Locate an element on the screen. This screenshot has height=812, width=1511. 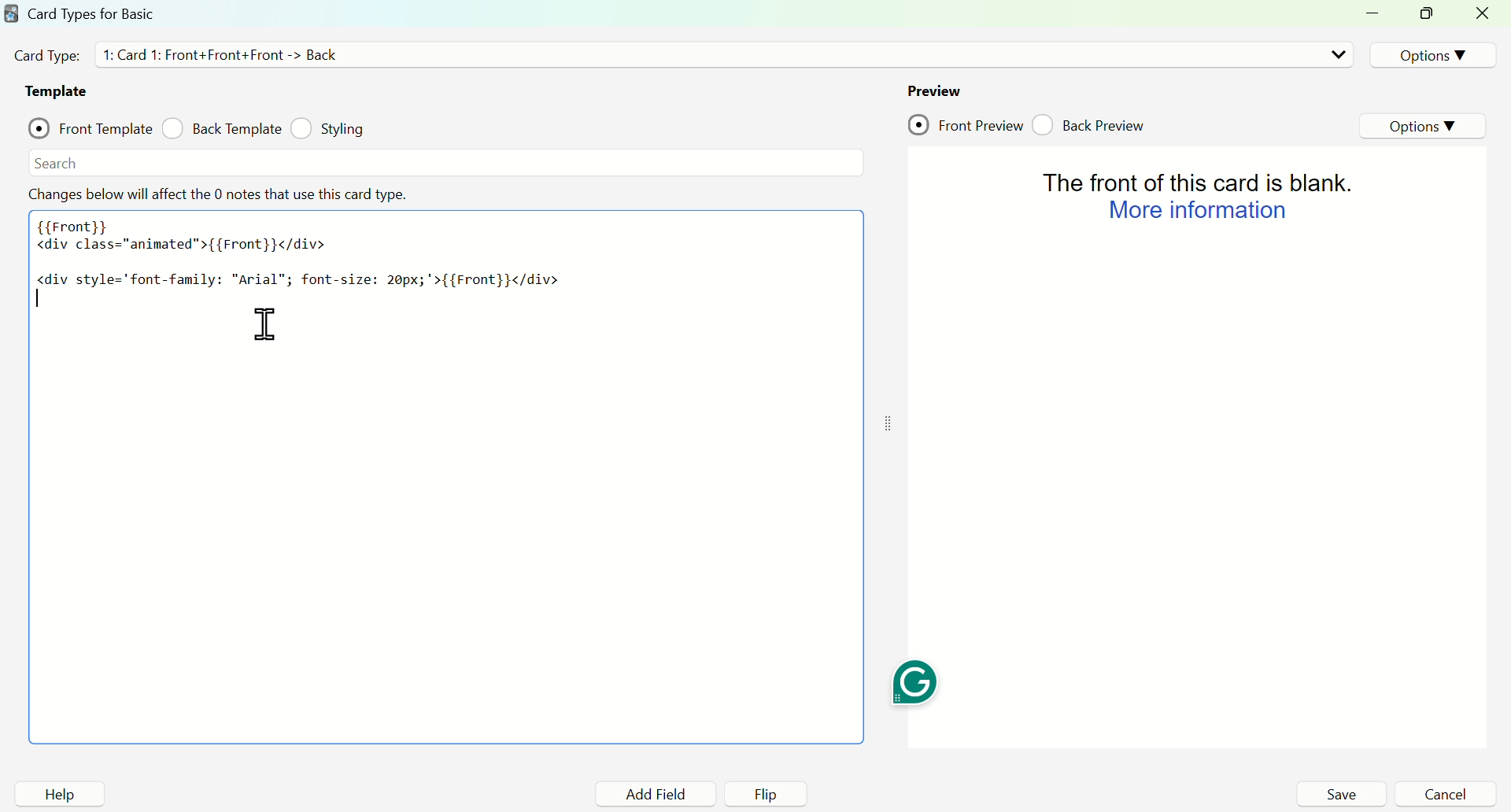
Minimize is located at coordinates (1377, 14).